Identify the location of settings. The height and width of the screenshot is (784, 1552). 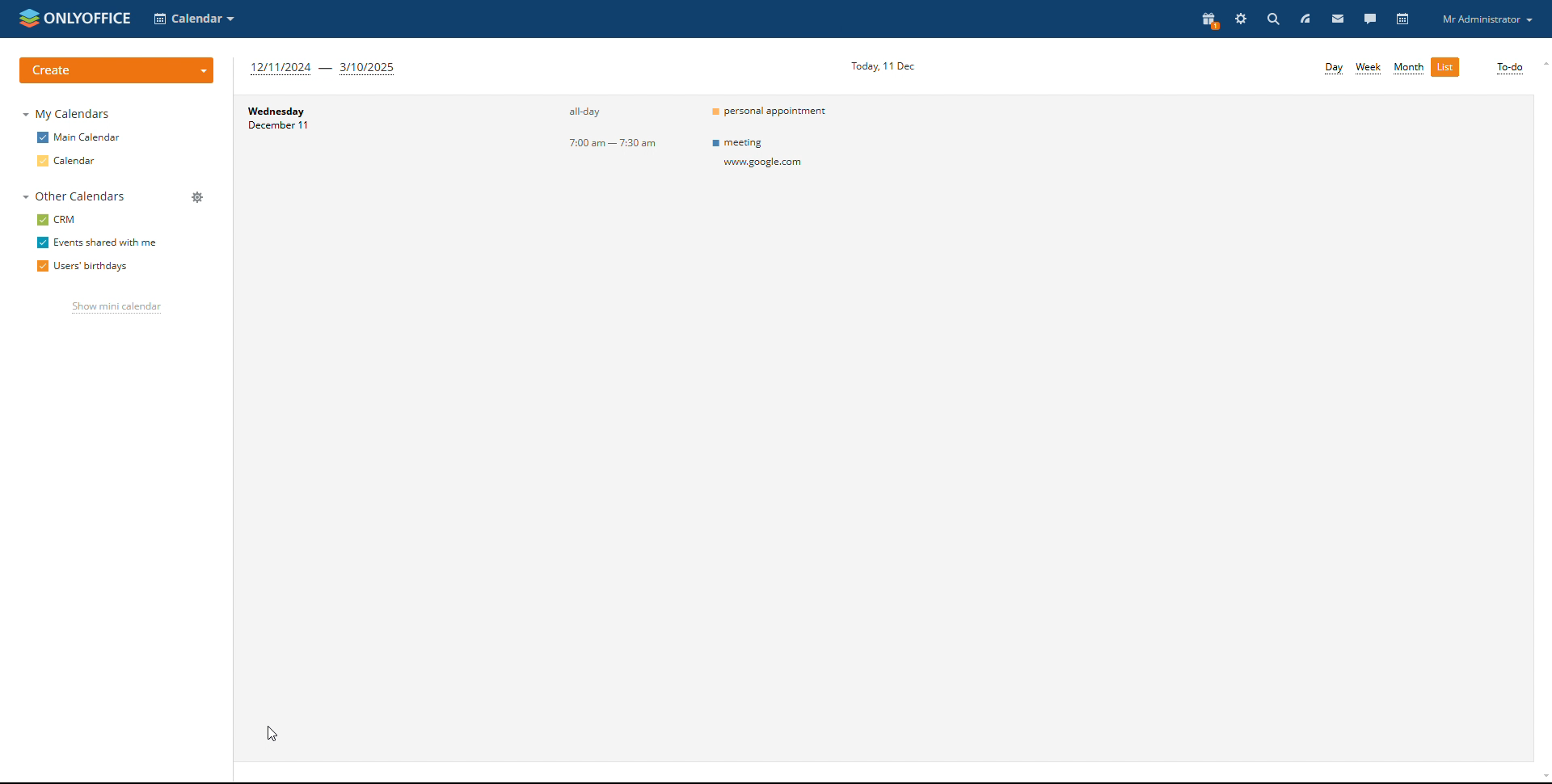
(1242, 19).